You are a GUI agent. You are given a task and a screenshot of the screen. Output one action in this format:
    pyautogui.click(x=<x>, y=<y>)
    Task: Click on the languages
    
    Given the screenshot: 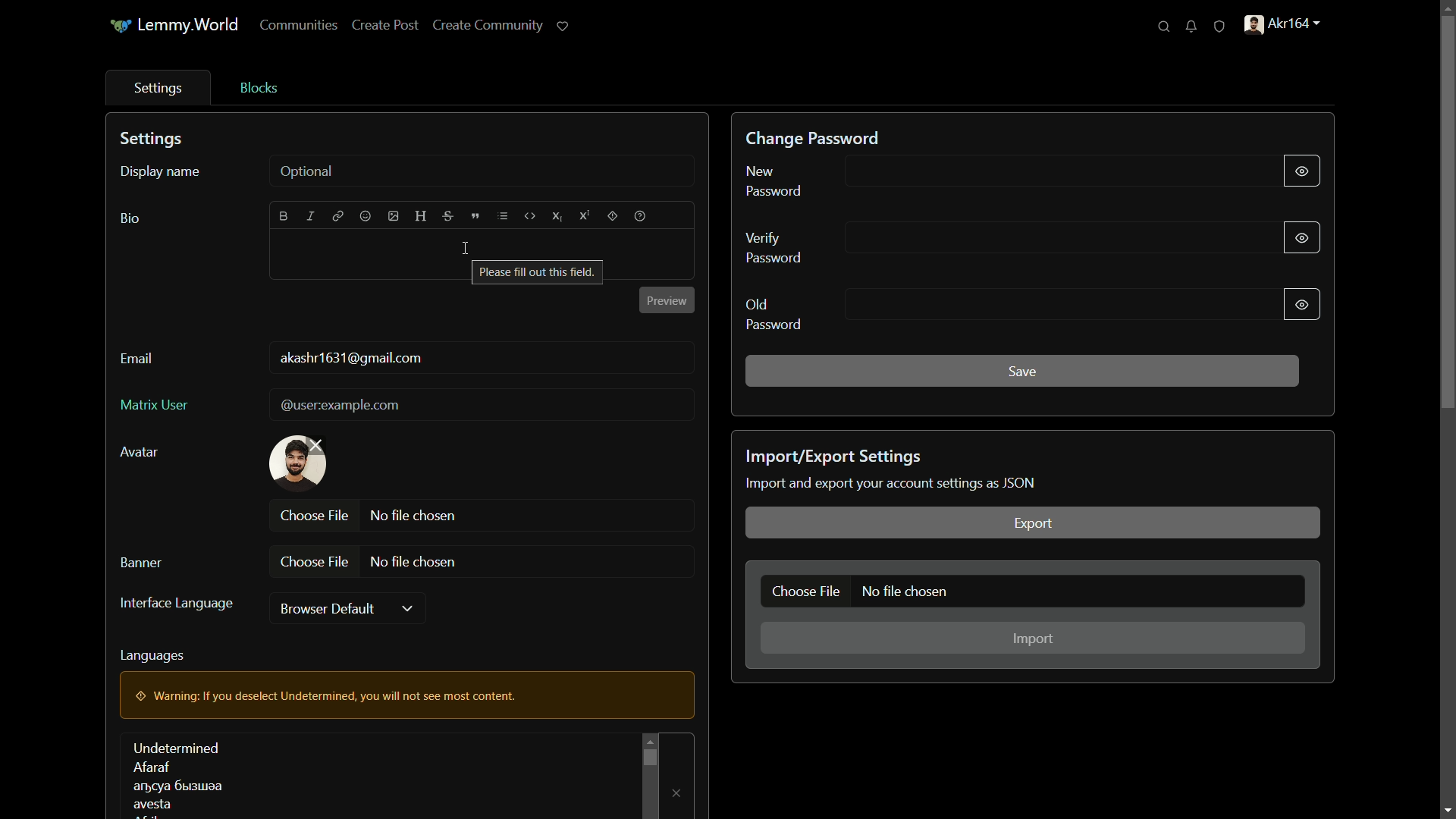 What is the action you would take?
    pyautogui.click(x=177, y=776)
    